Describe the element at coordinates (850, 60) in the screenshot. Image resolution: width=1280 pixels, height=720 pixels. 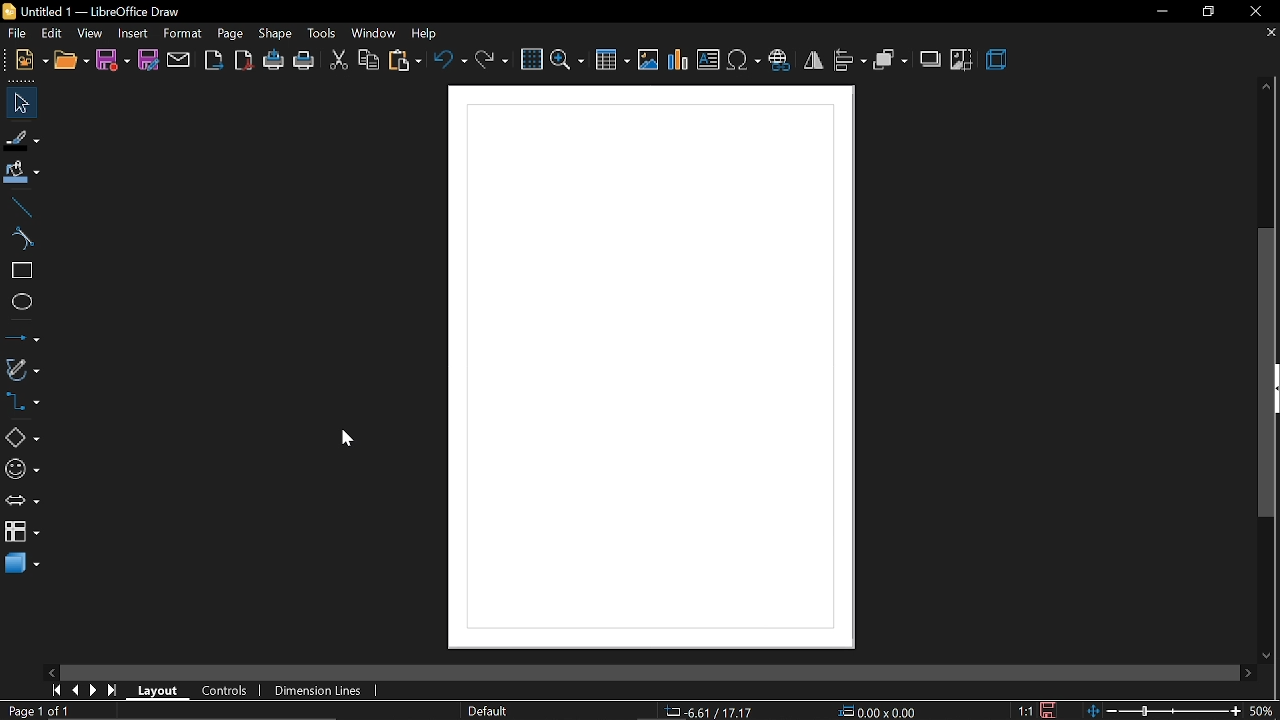
I see `align` at that location.